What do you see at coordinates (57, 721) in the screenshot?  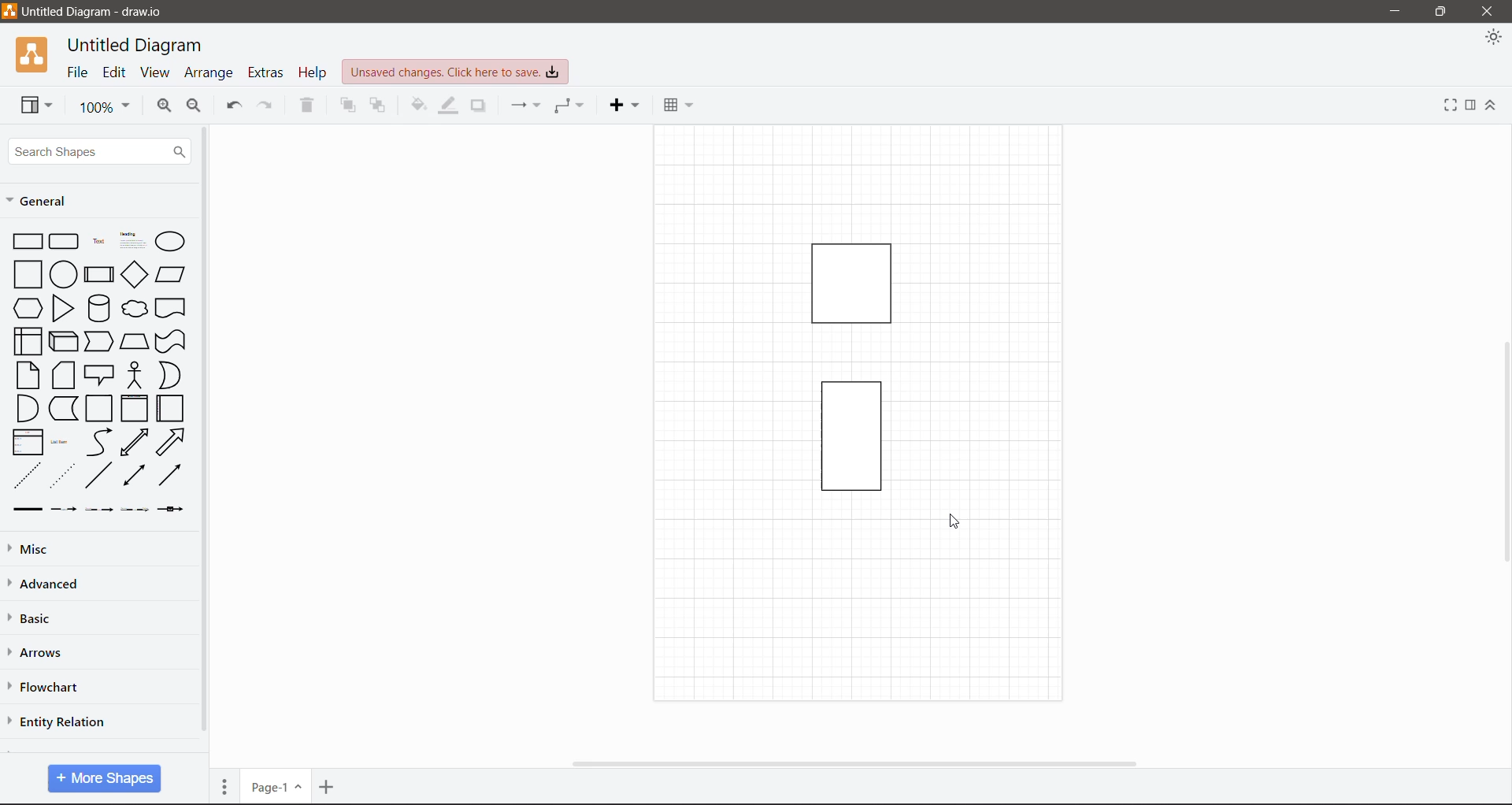 I see `Entity Relation` at bounding box center [57, 721].